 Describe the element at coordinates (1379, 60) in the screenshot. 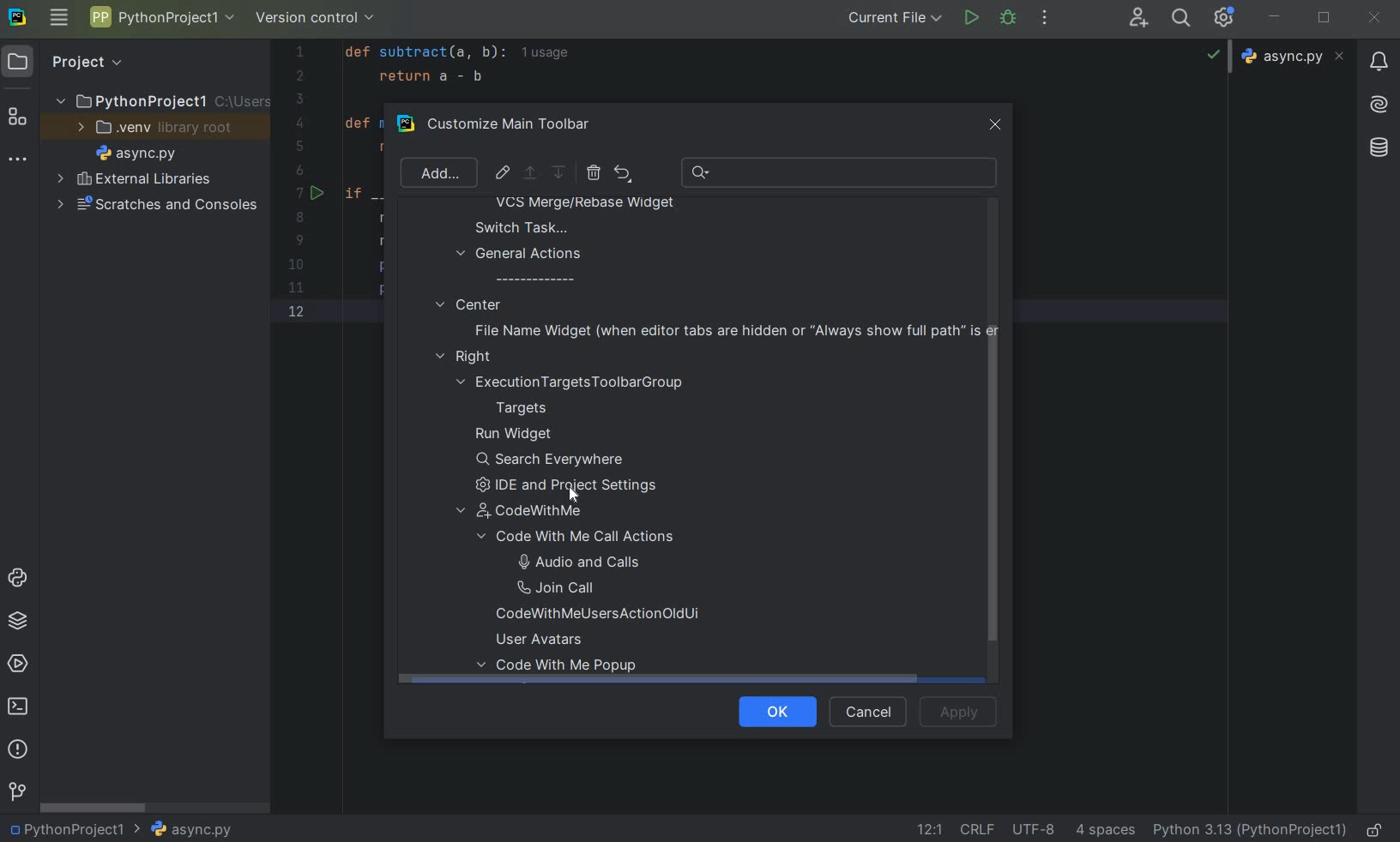

I see `updates` at that location.